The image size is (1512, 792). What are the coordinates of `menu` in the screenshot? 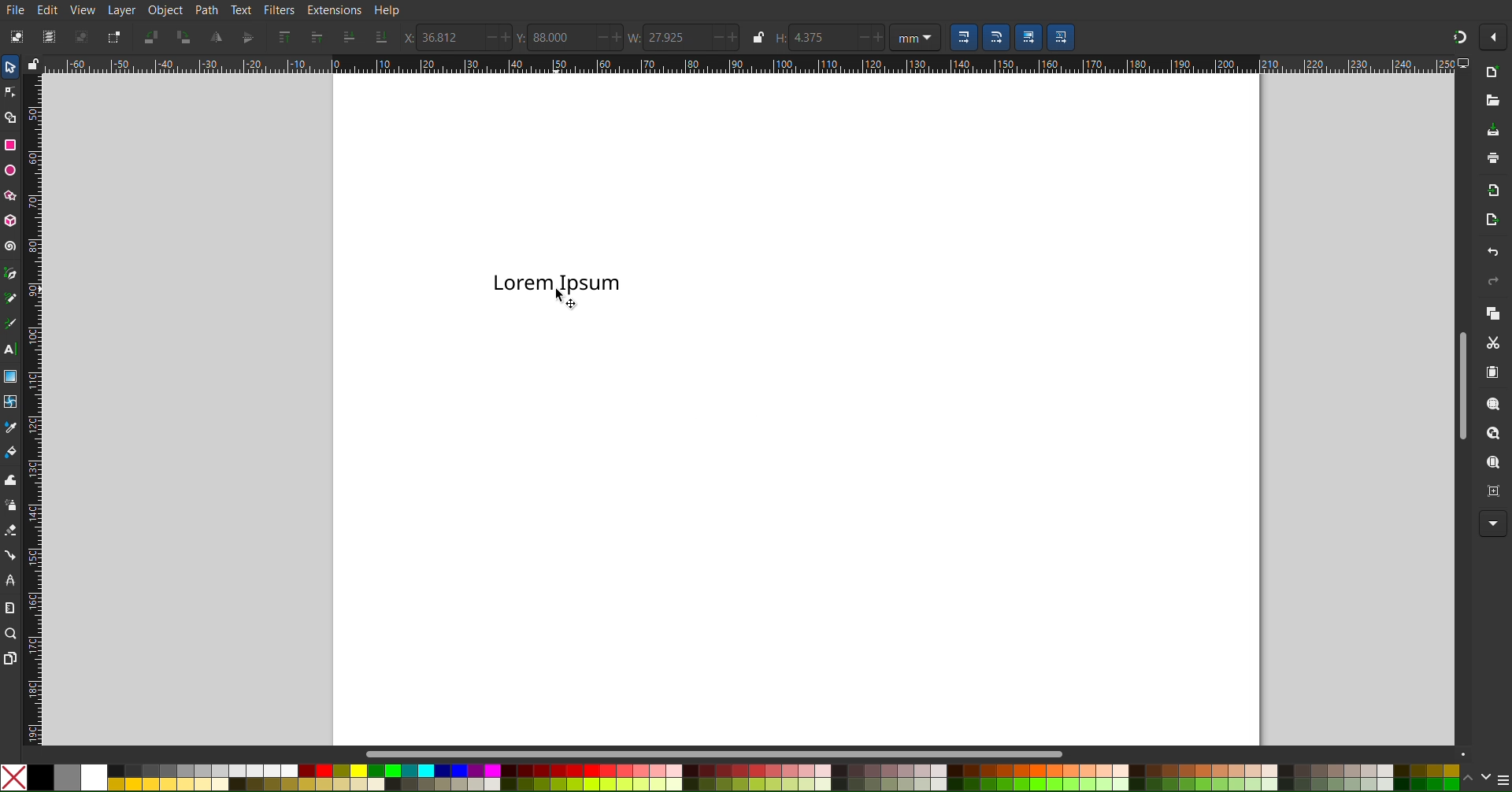 It's located at (1503, 779).